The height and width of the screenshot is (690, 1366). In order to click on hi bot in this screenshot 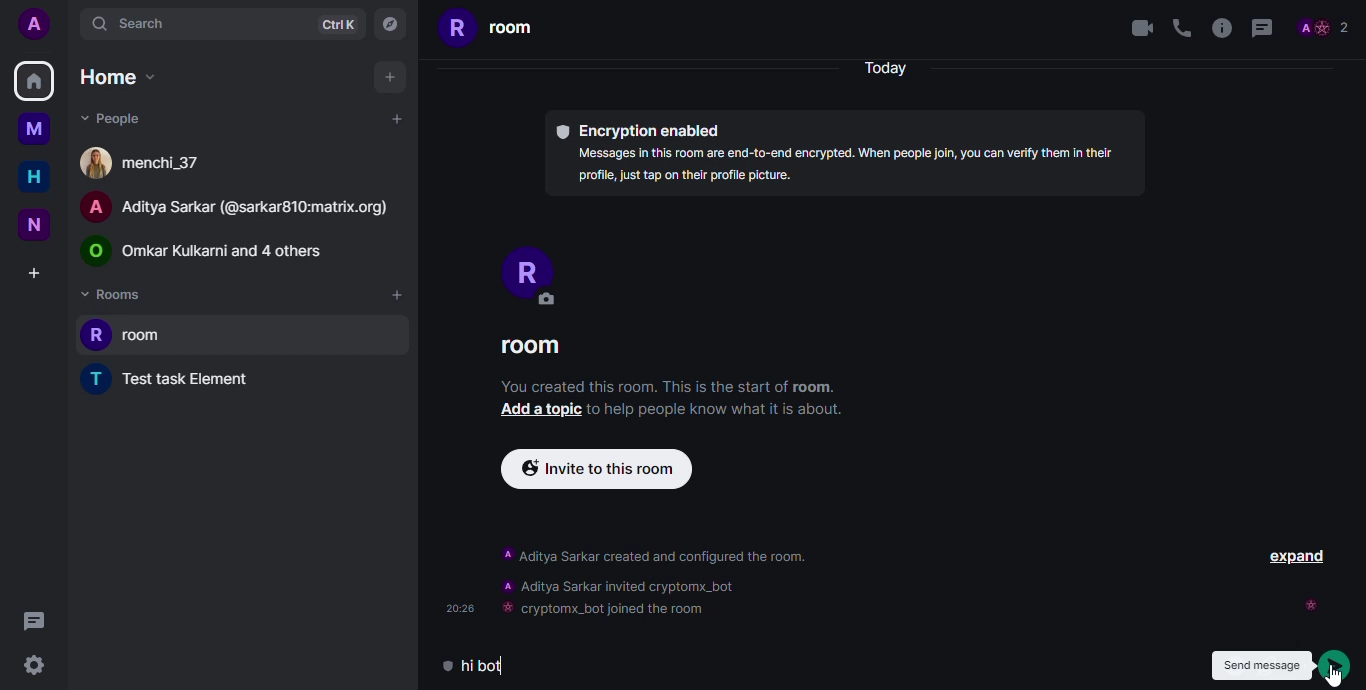, I will do `click(470, 666)`.